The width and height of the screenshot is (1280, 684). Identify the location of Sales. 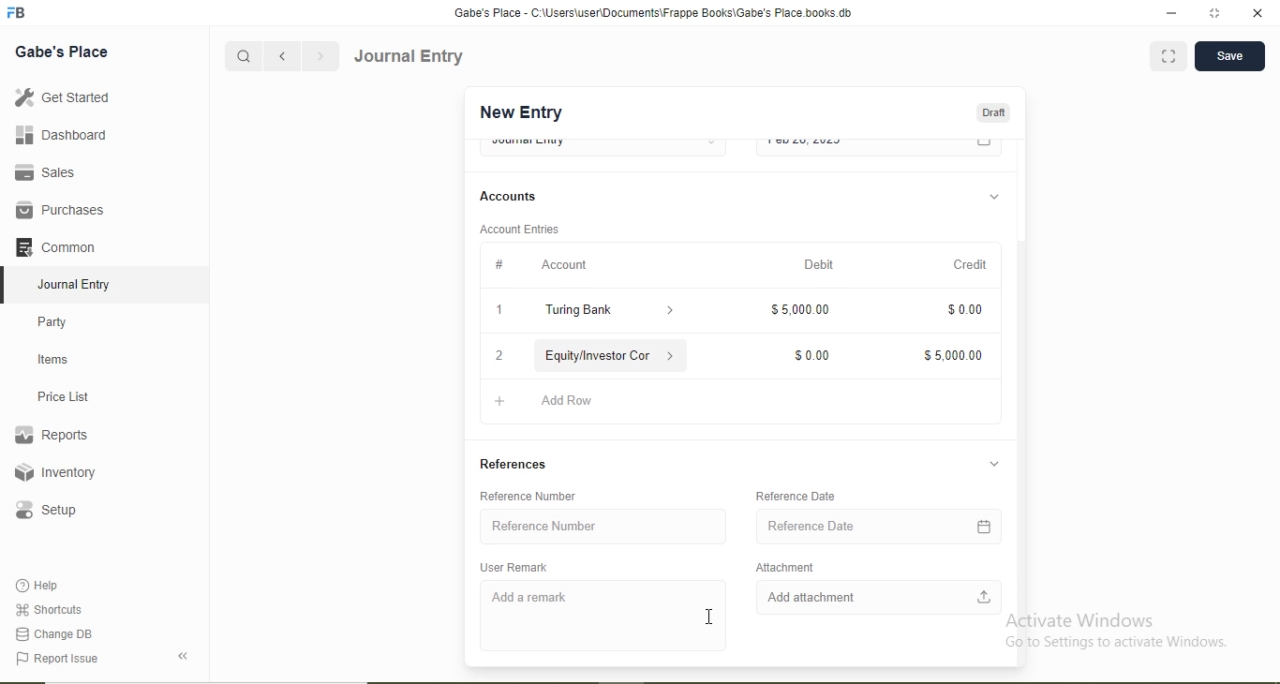
(42, 172).